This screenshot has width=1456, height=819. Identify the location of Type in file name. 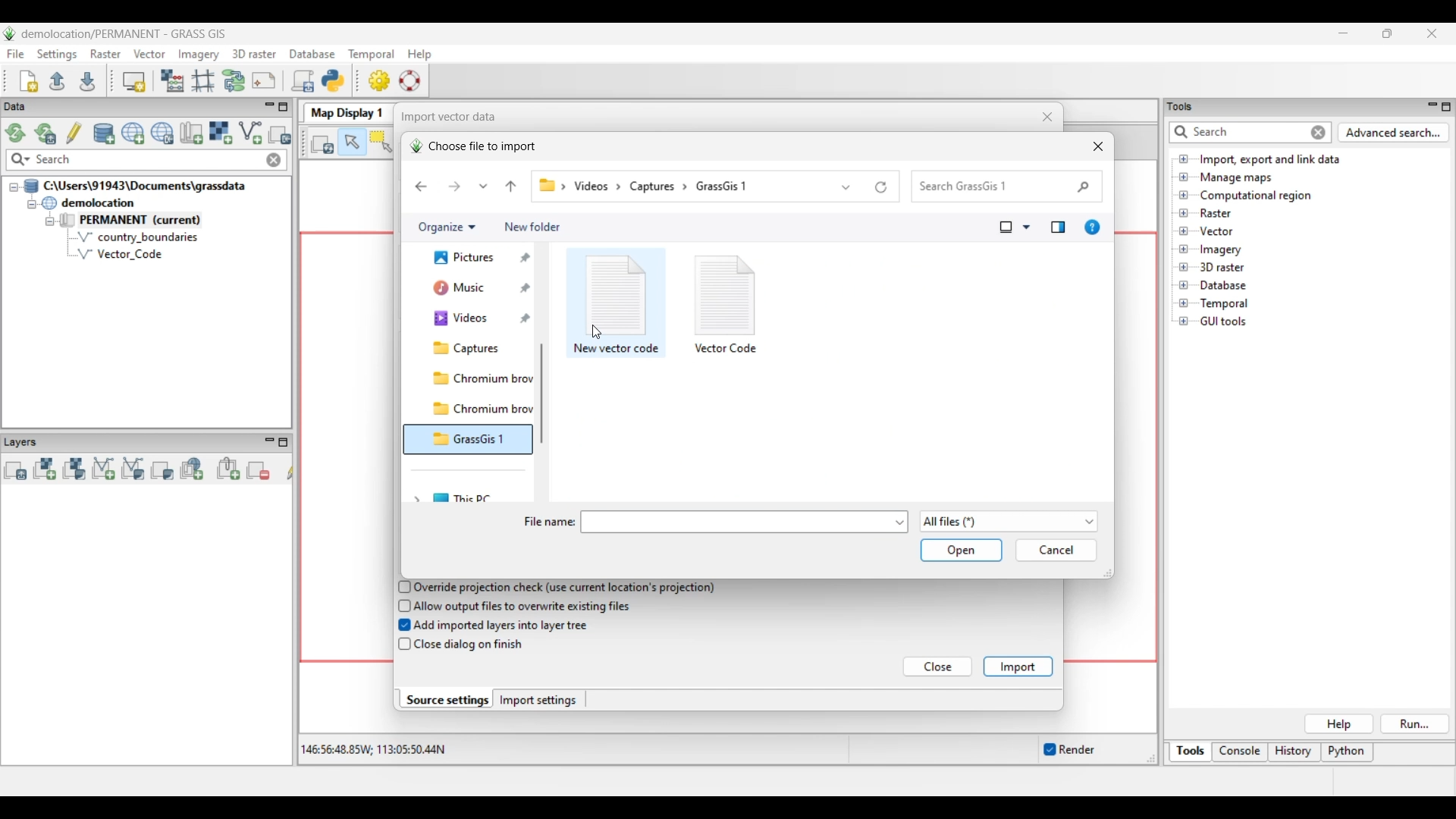
(737, 522).